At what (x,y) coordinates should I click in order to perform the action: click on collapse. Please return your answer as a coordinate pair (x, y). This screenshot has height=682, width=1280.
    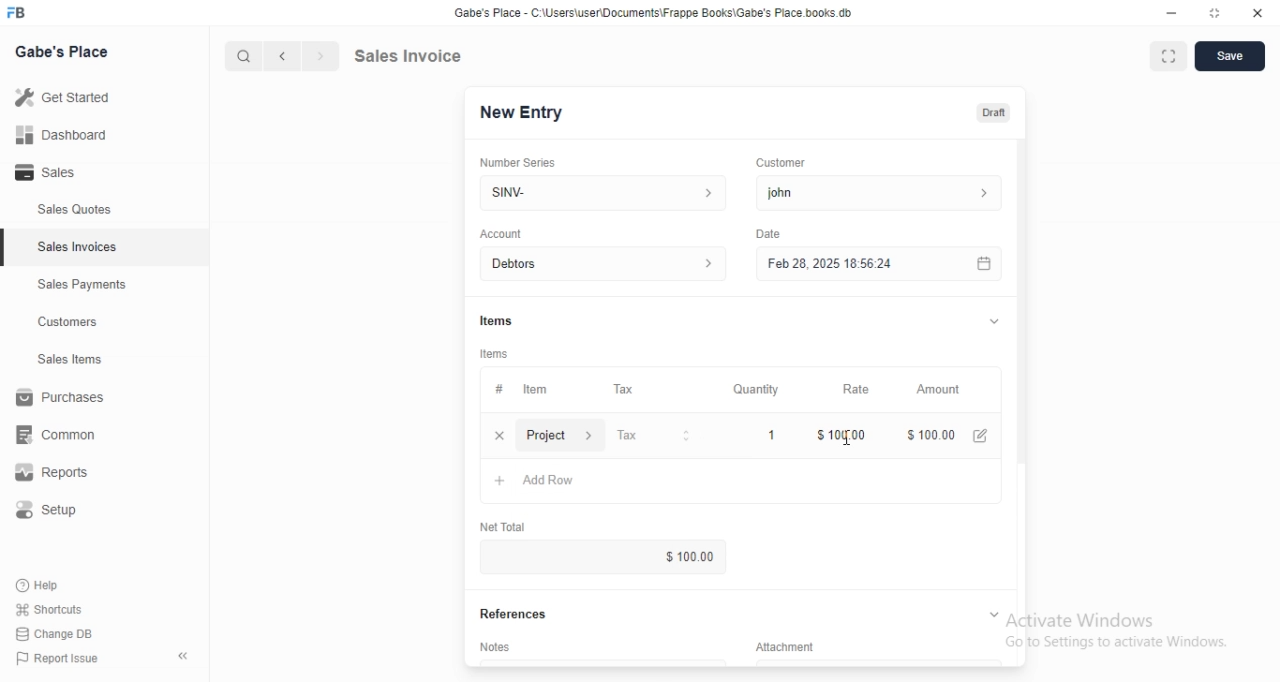
    Looking at the image, I should click on (992, 613).